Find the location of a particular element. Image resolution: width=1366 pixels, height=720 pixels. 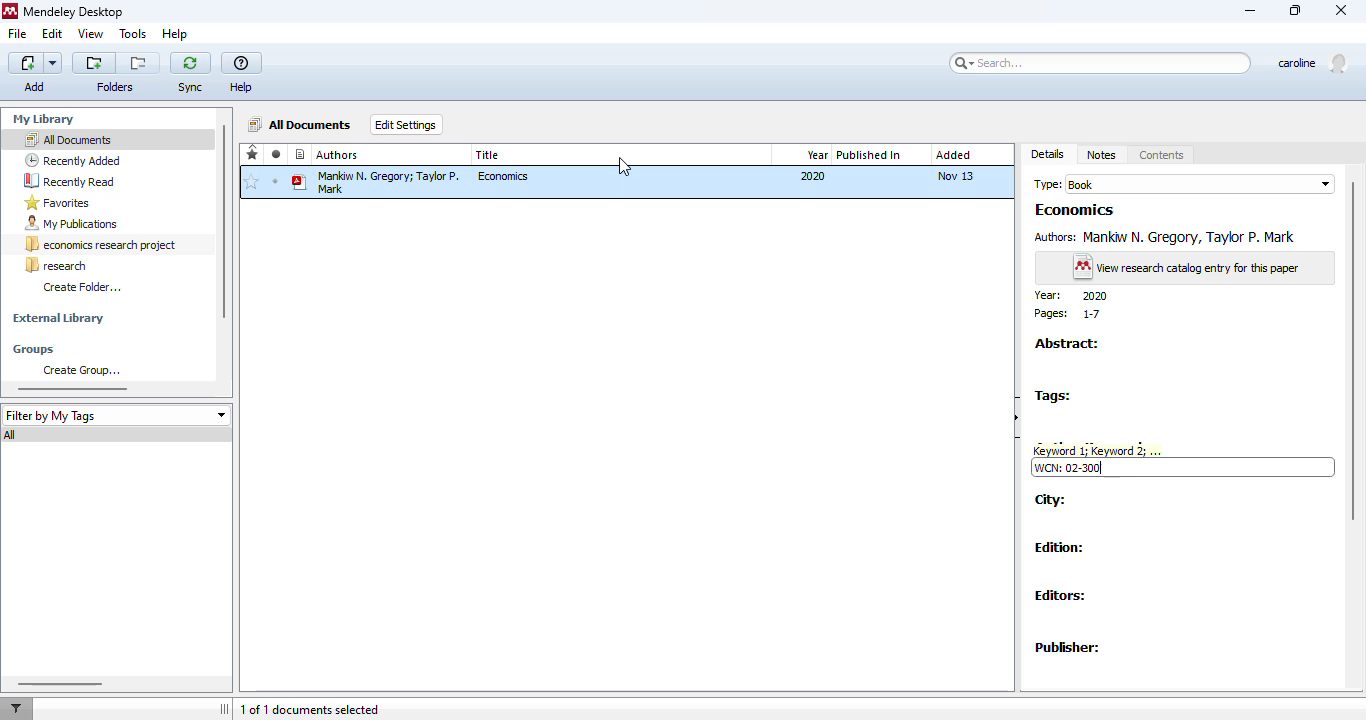

groups is located at coordinates (35, 350).